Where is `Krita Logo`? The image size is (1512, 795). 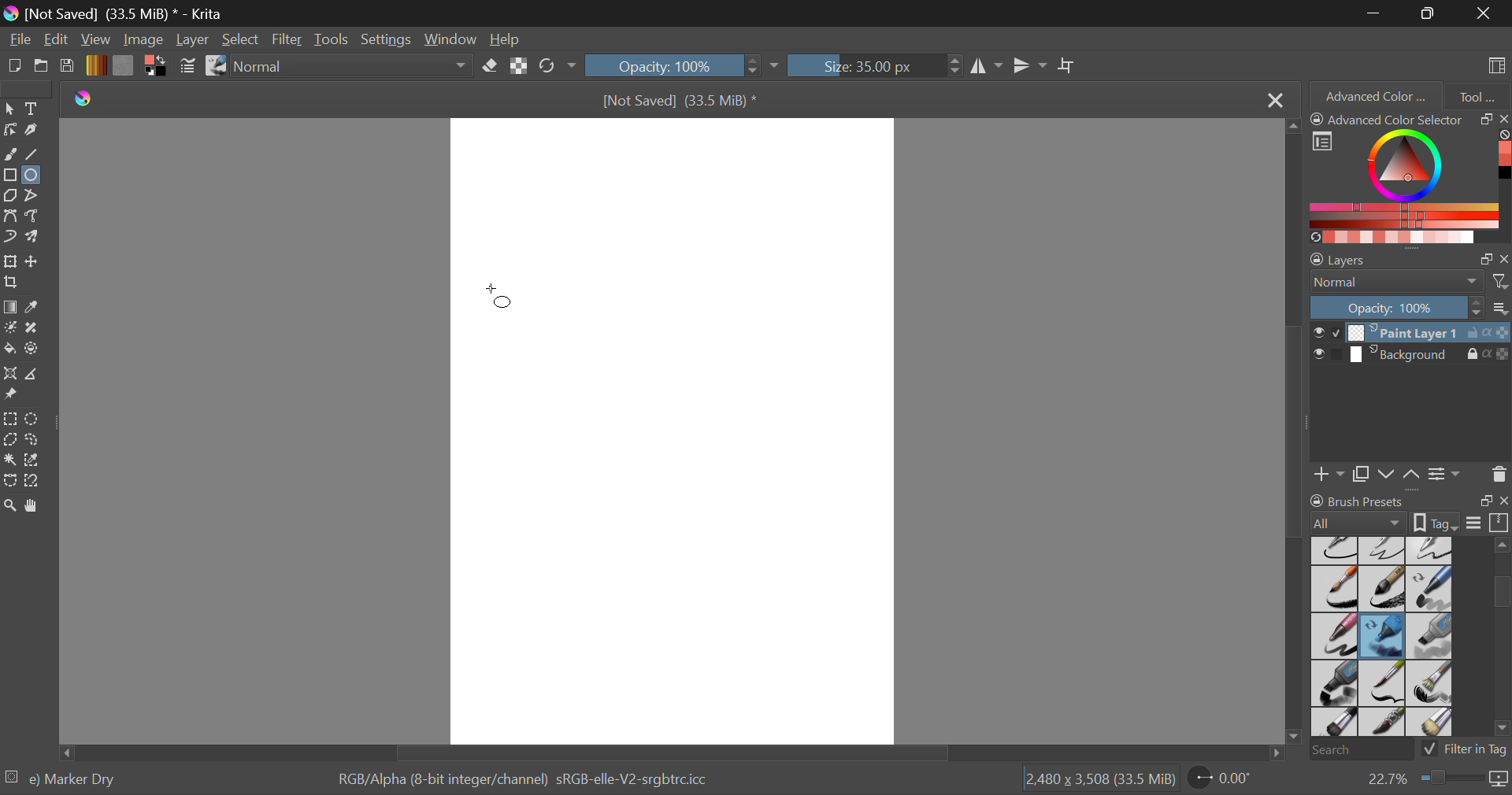 Krita Logo is located at coordinates (82, 99).